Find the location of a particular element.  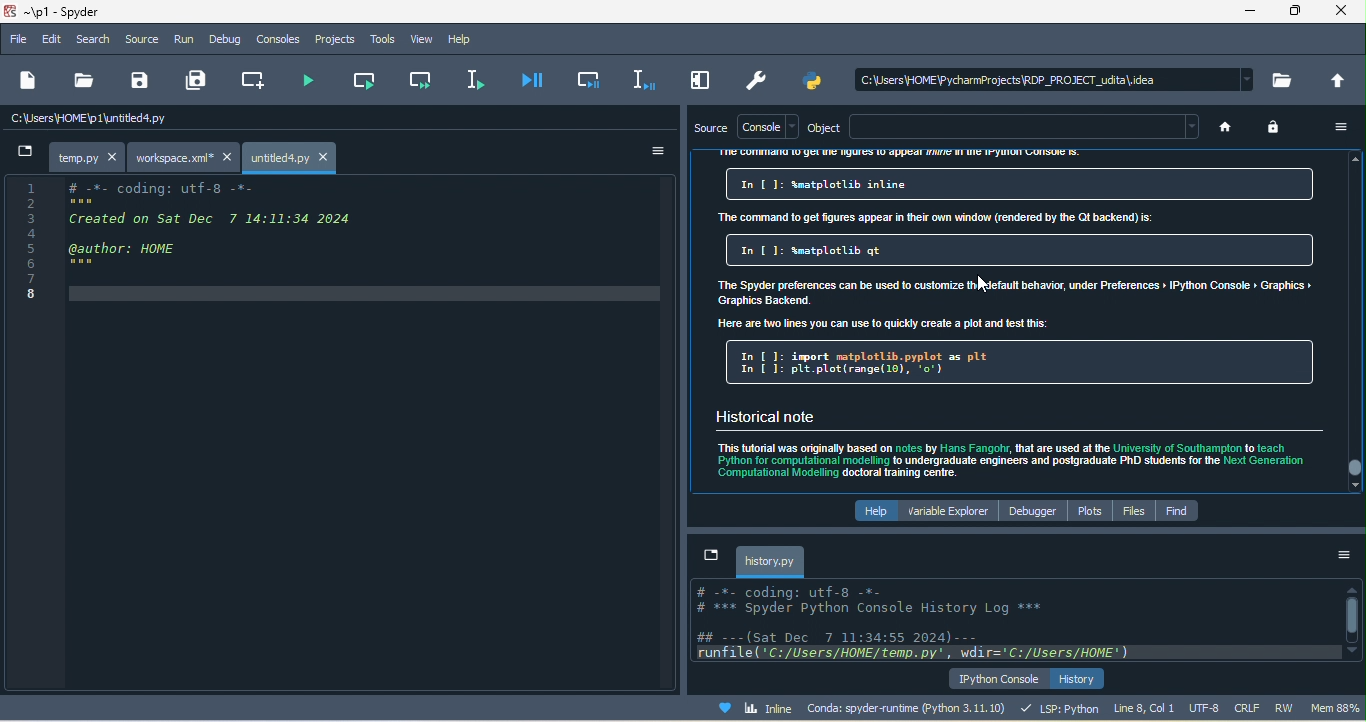

preference is located at coordinates (754, 80).